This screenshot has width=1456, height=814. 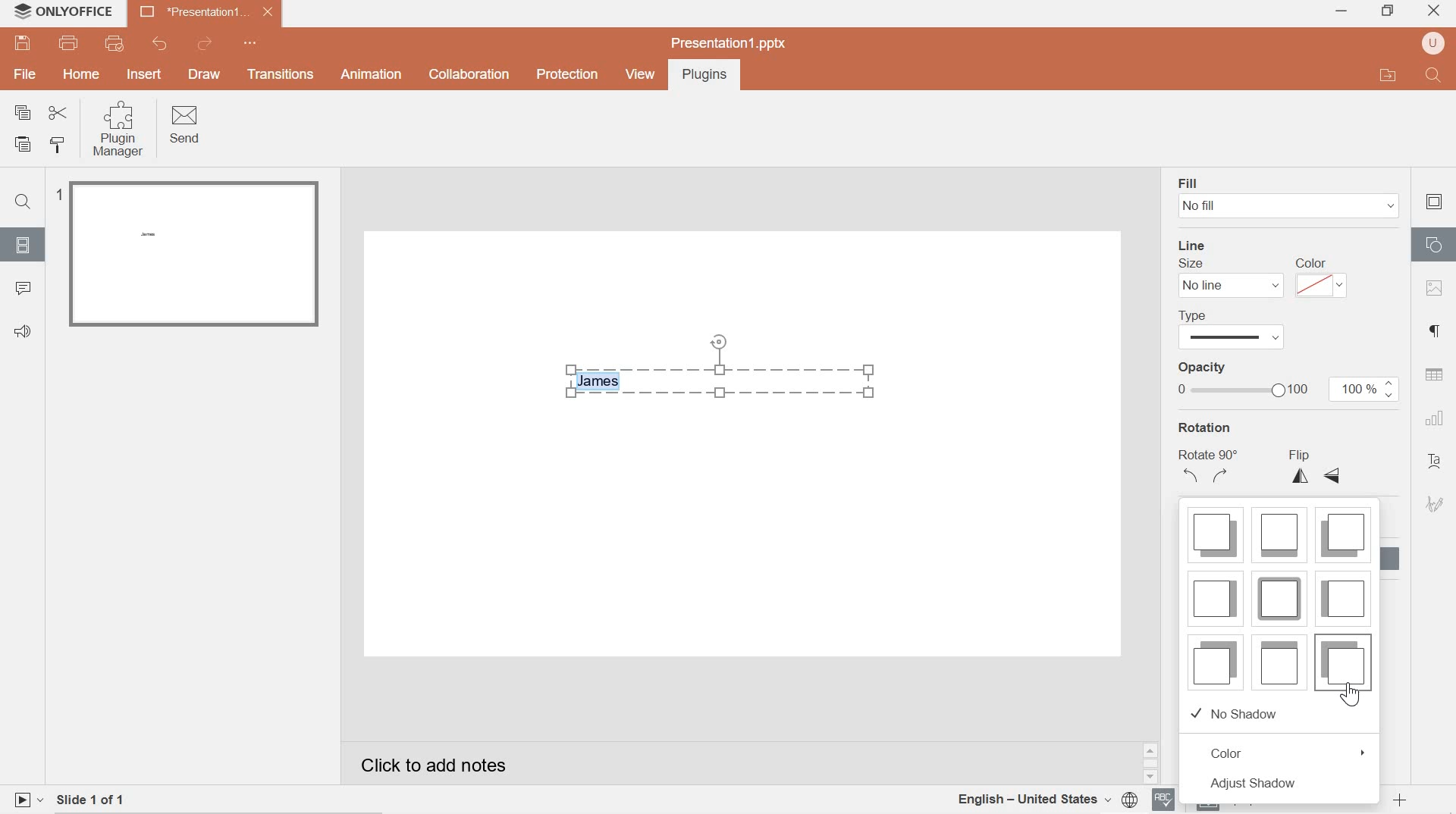 I want to click on slide 1 of 1, so click(x=104, y=797).